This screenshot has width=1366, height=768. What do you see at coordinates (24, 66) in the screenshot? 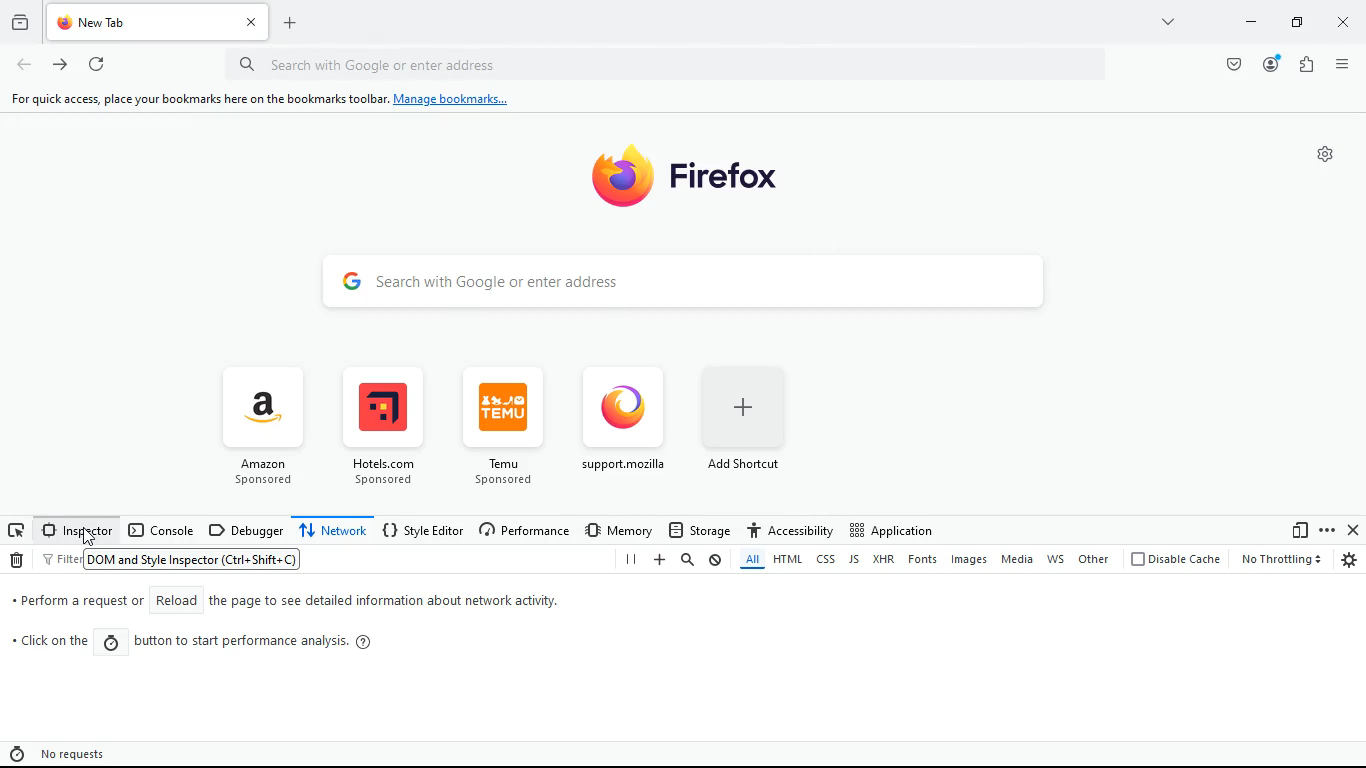
I see `back` at bounding box center [24, 66].